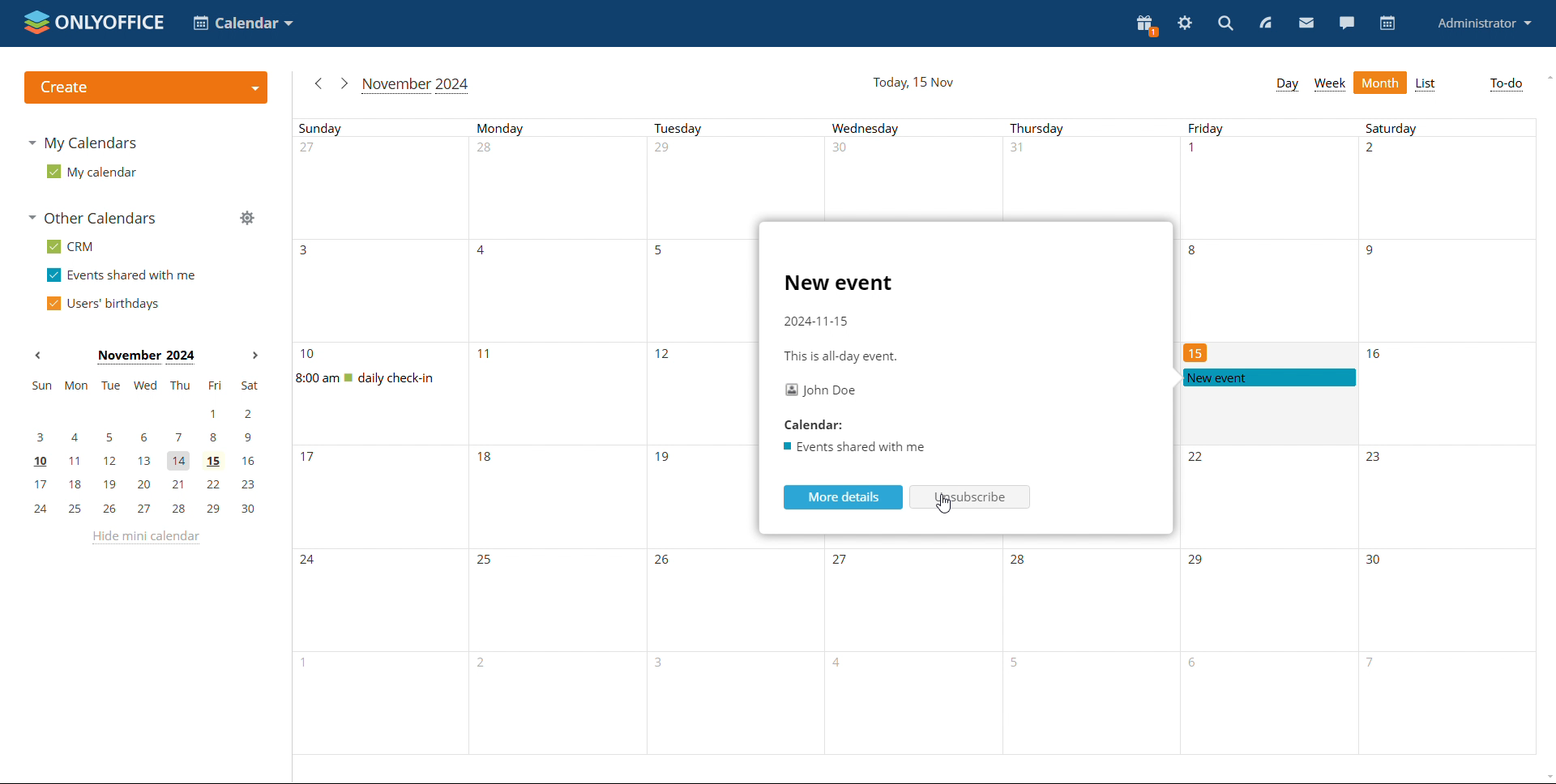  What do you see at coordinates (1537, 772) in the screenshot?
I see `scroll down` at bounding box center [1537, 772].